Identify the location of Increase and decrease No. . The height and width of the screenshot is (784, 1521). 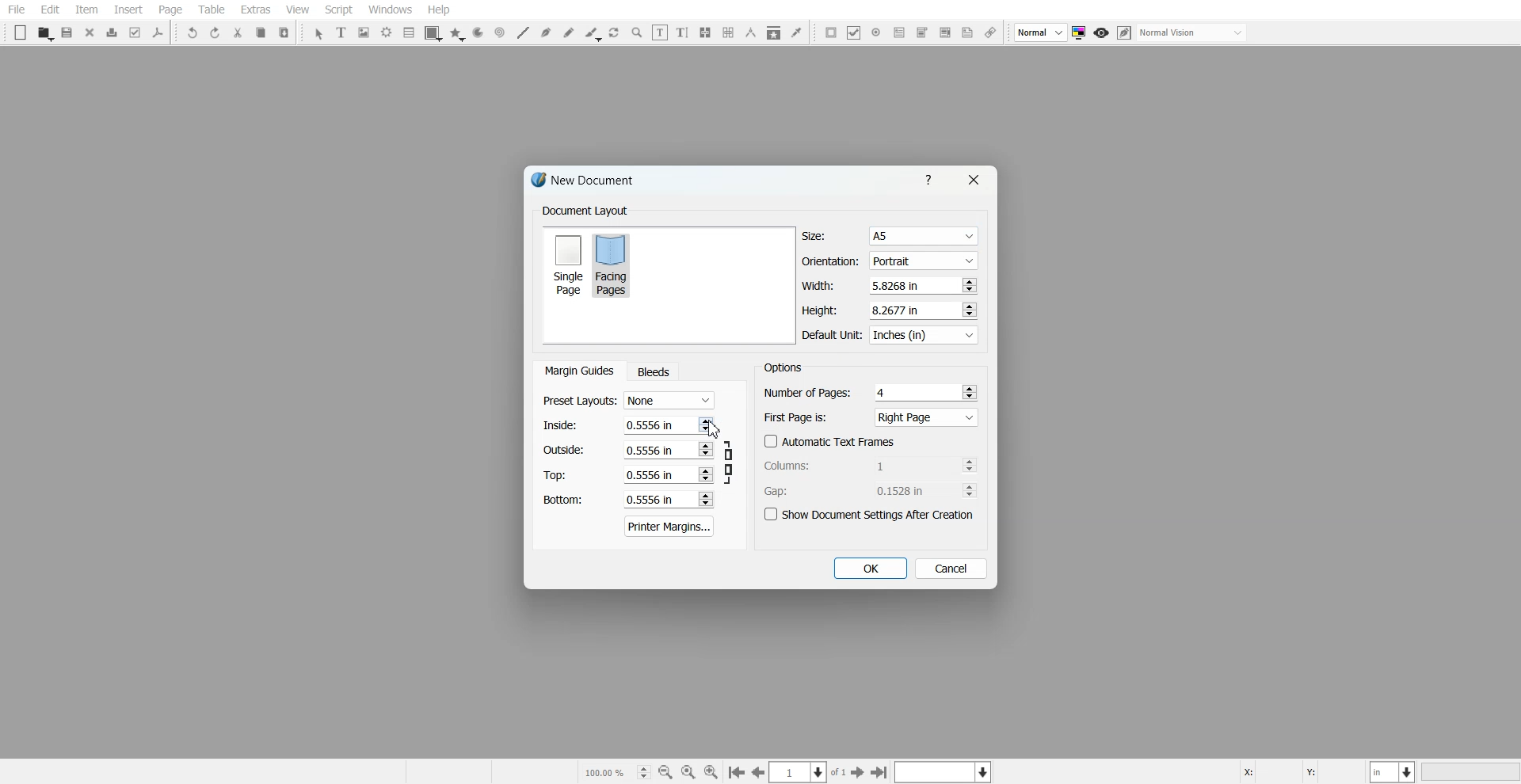
(705, 475).